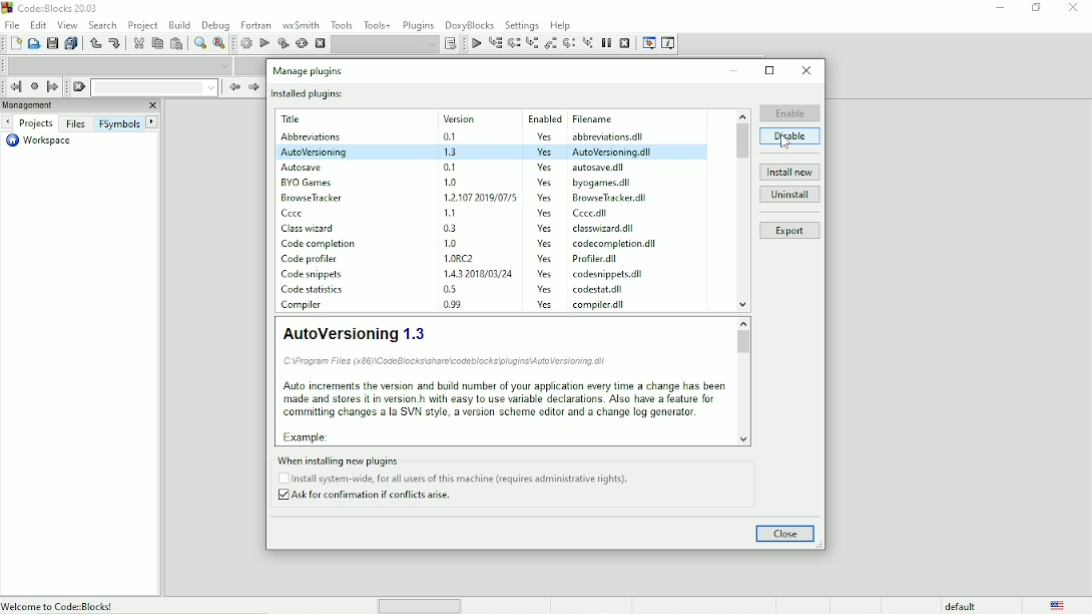 Image resolution: width=1092 pixels, height=614 pixels. I want to click on Enabled, so click(544, 119).